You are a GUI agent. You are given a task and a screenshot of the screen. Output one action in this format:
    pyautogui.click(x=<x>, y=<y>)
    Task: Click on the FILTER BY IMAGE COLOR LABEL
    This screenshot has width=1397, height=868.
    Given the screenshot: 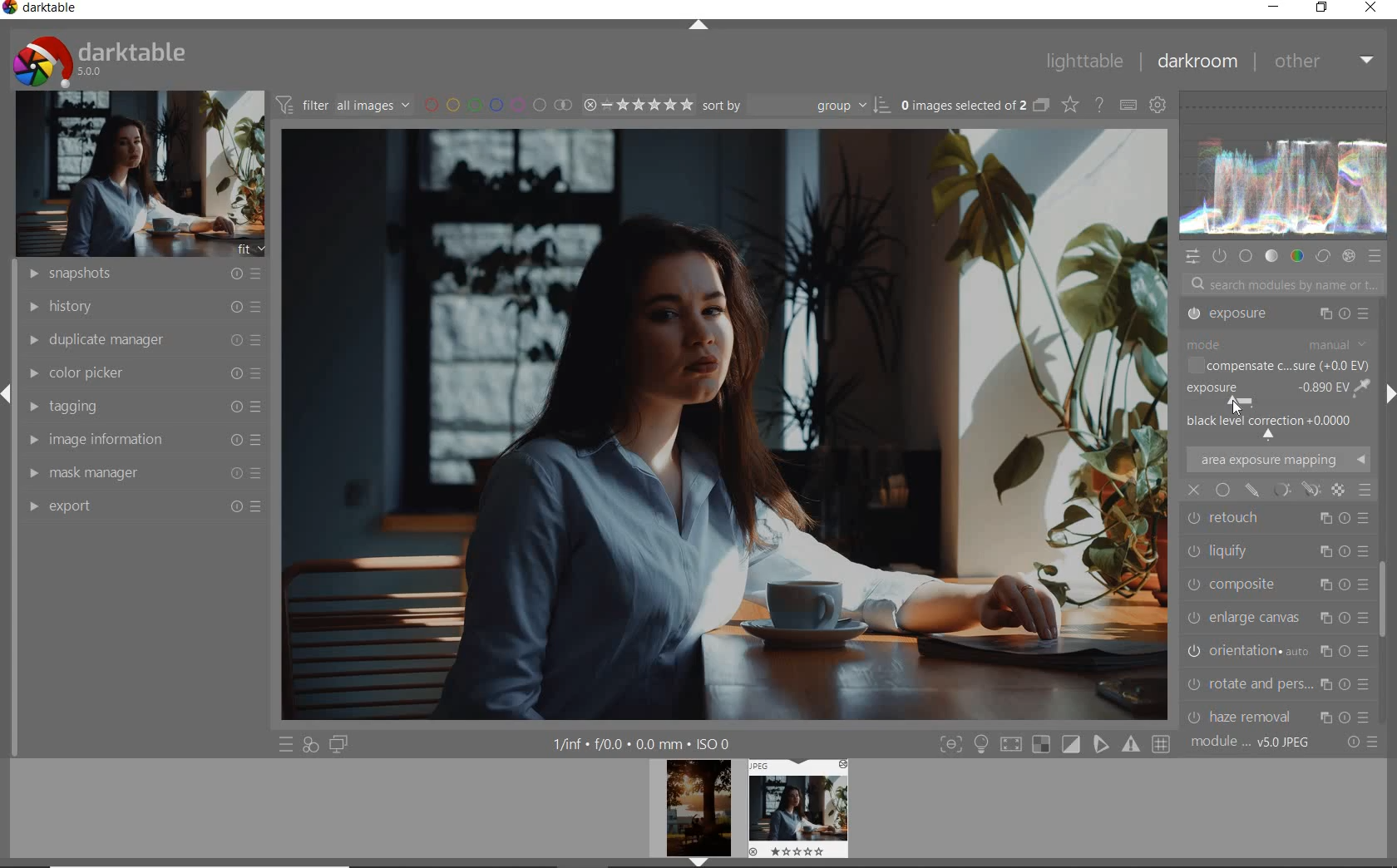 What is the action you would take?
    pyautogui.click(x=496, y=106)
    